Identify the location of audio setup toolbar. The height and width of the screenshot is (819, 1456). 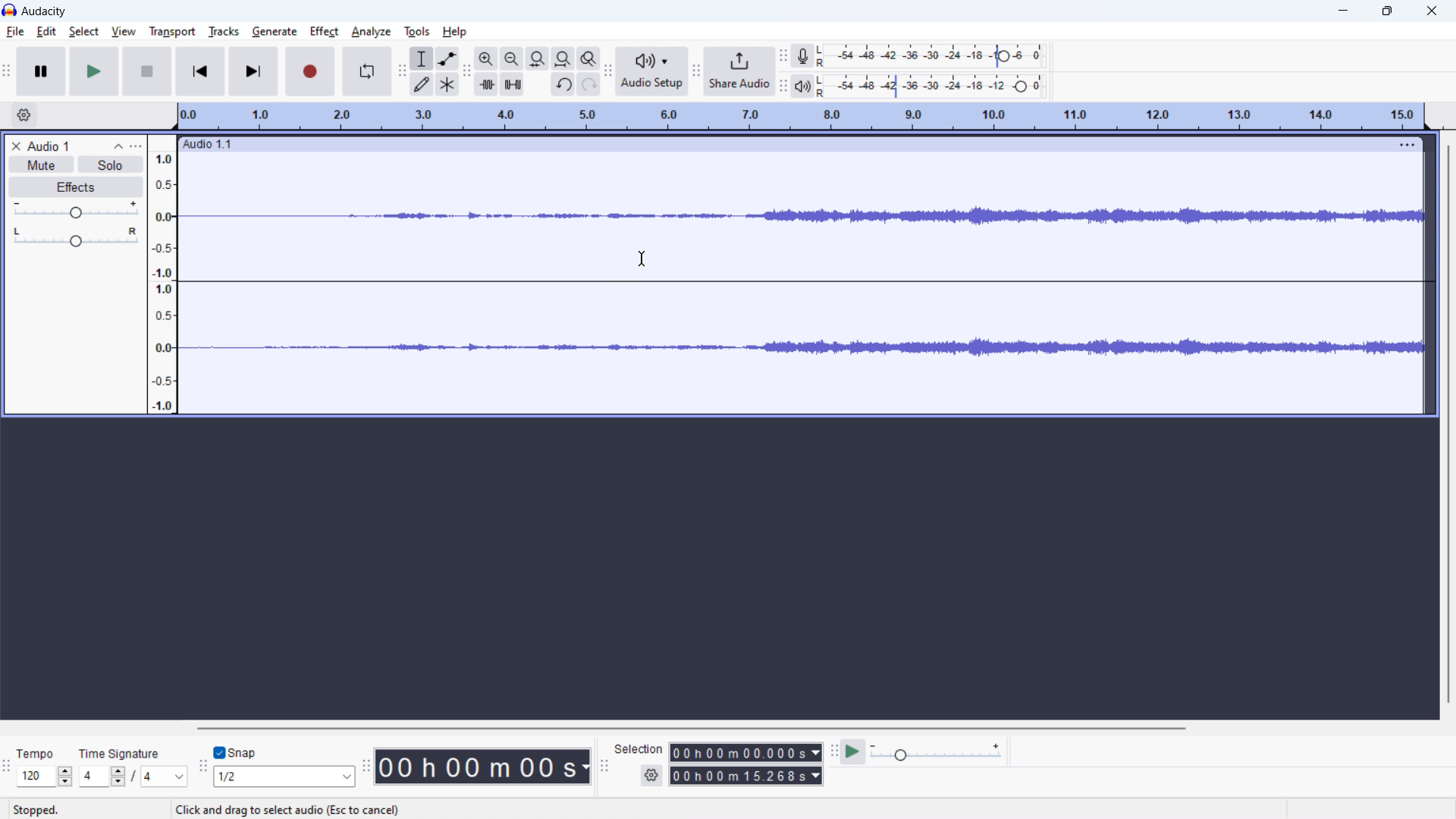
(608, 71).